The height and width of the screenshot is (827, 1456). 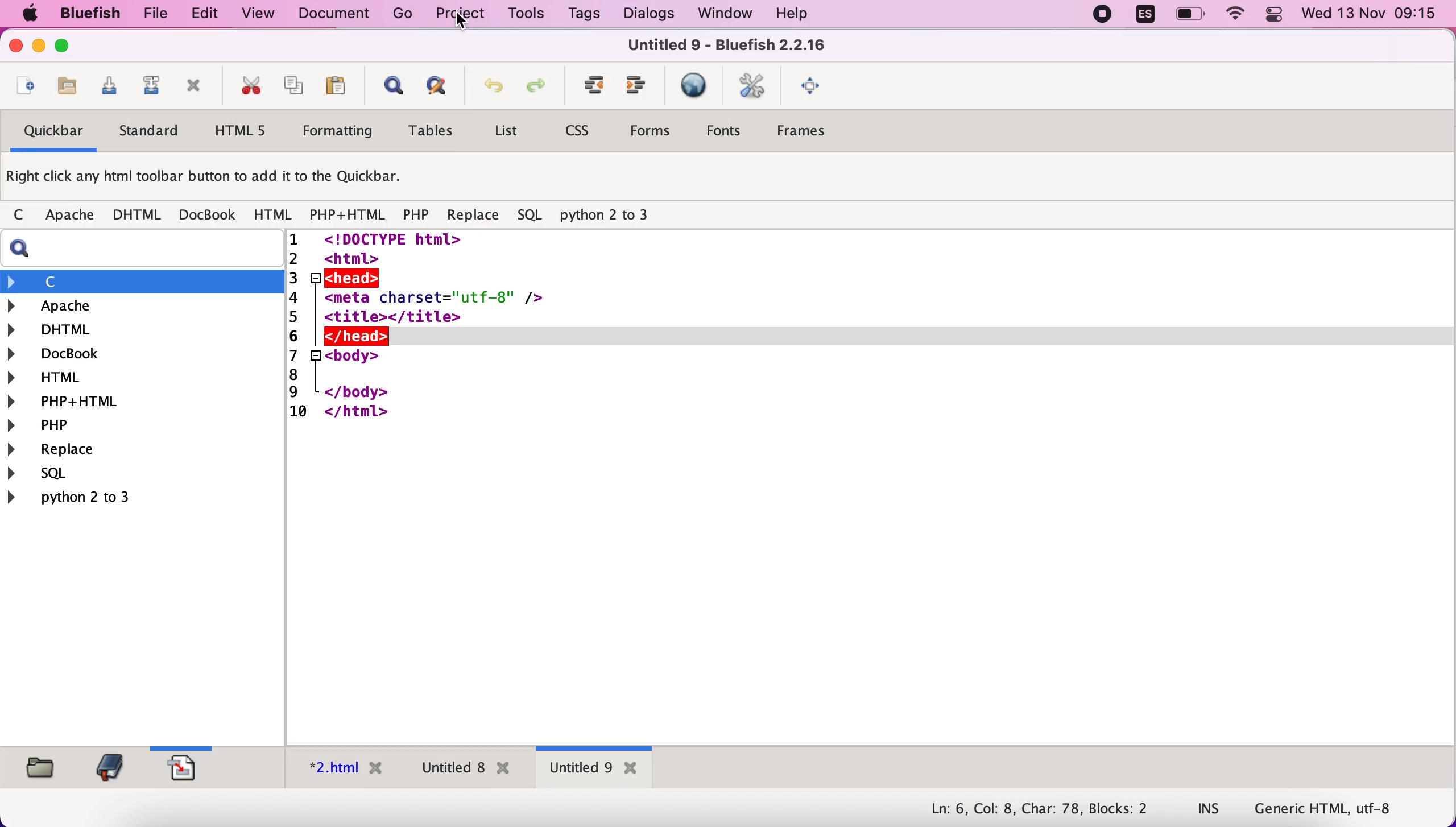 What do you see at coordinates (729, 130) in the screenshot?
I see `fonts` at bounding box center [729, 130].